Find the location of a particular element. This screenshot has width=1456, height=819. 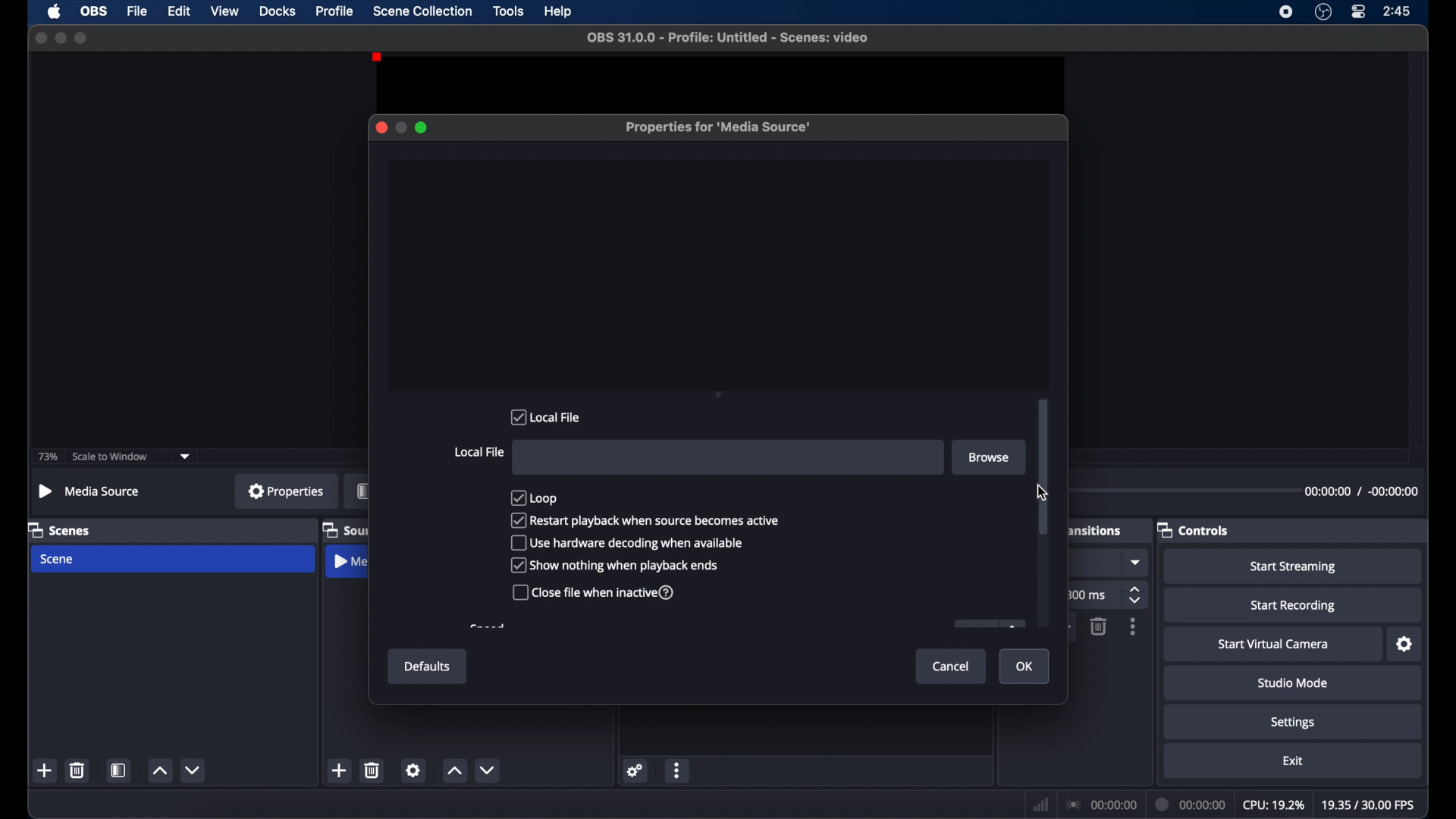

duration is located at coordinates (1191, 804).